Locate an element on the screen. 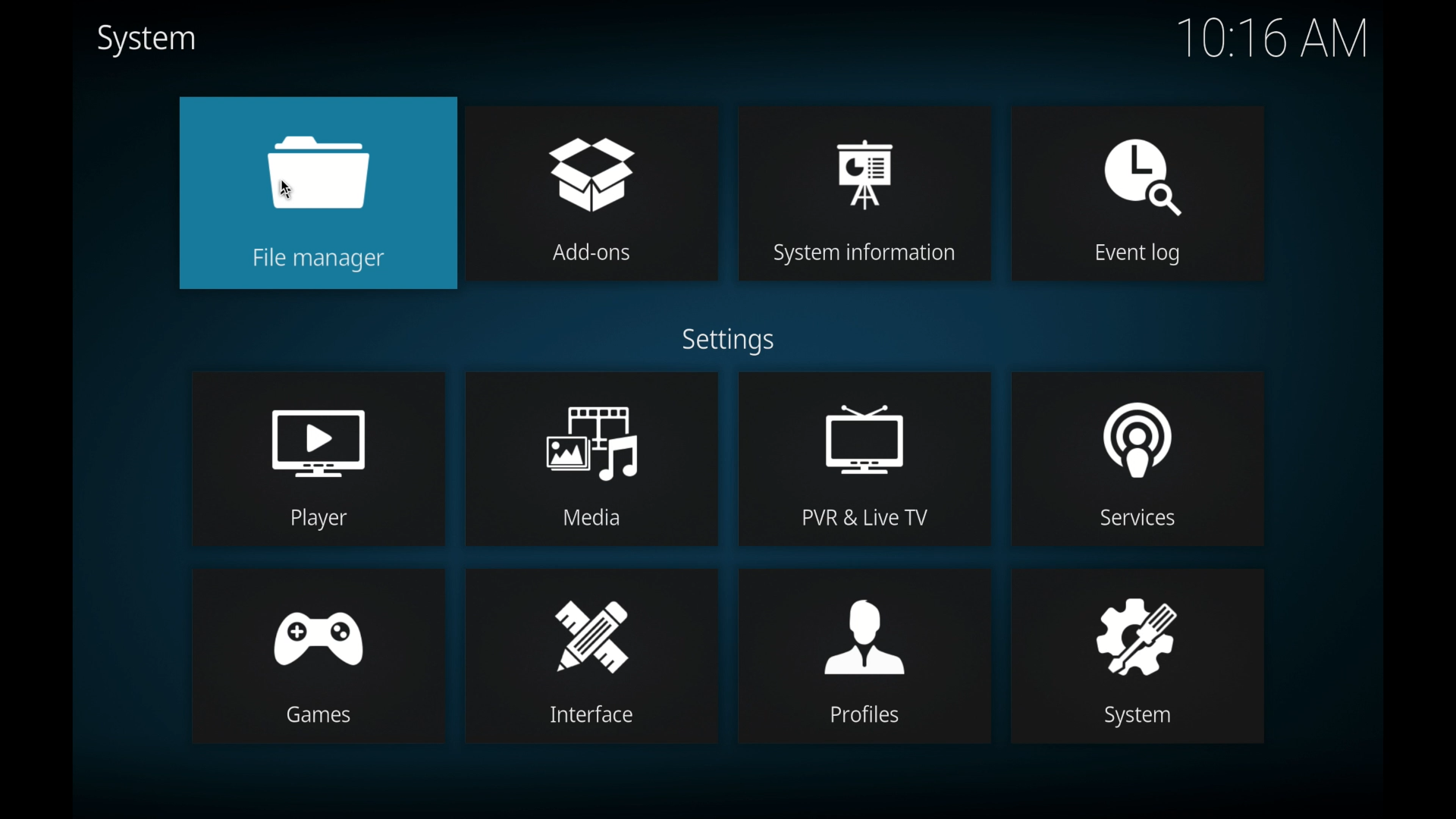 This screenshot has width=1456, height=819. add-ons is located at coordinates (593, 193).